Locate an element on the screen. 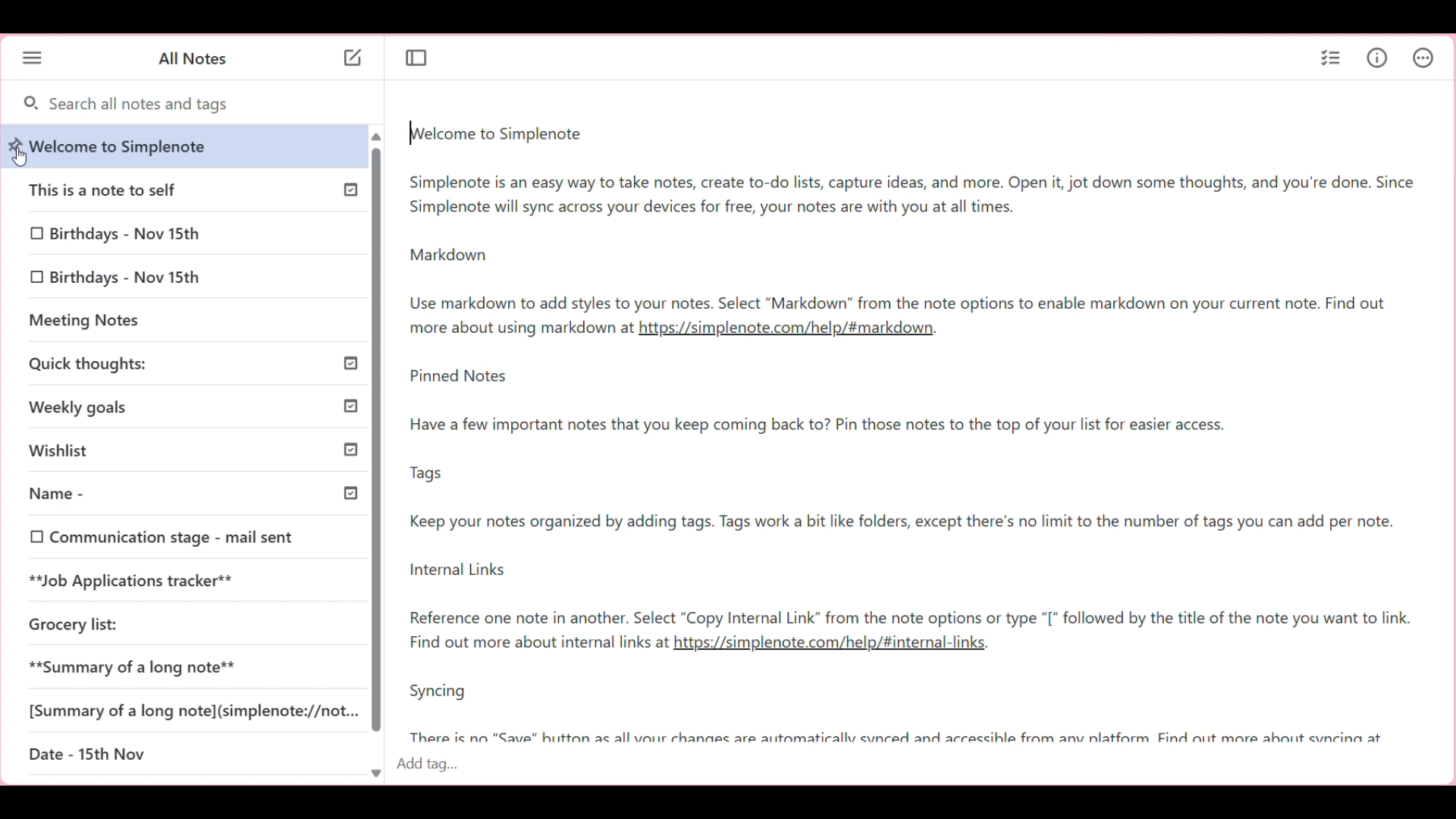  lcome to Simplenote is located at coordinates (124, 146).